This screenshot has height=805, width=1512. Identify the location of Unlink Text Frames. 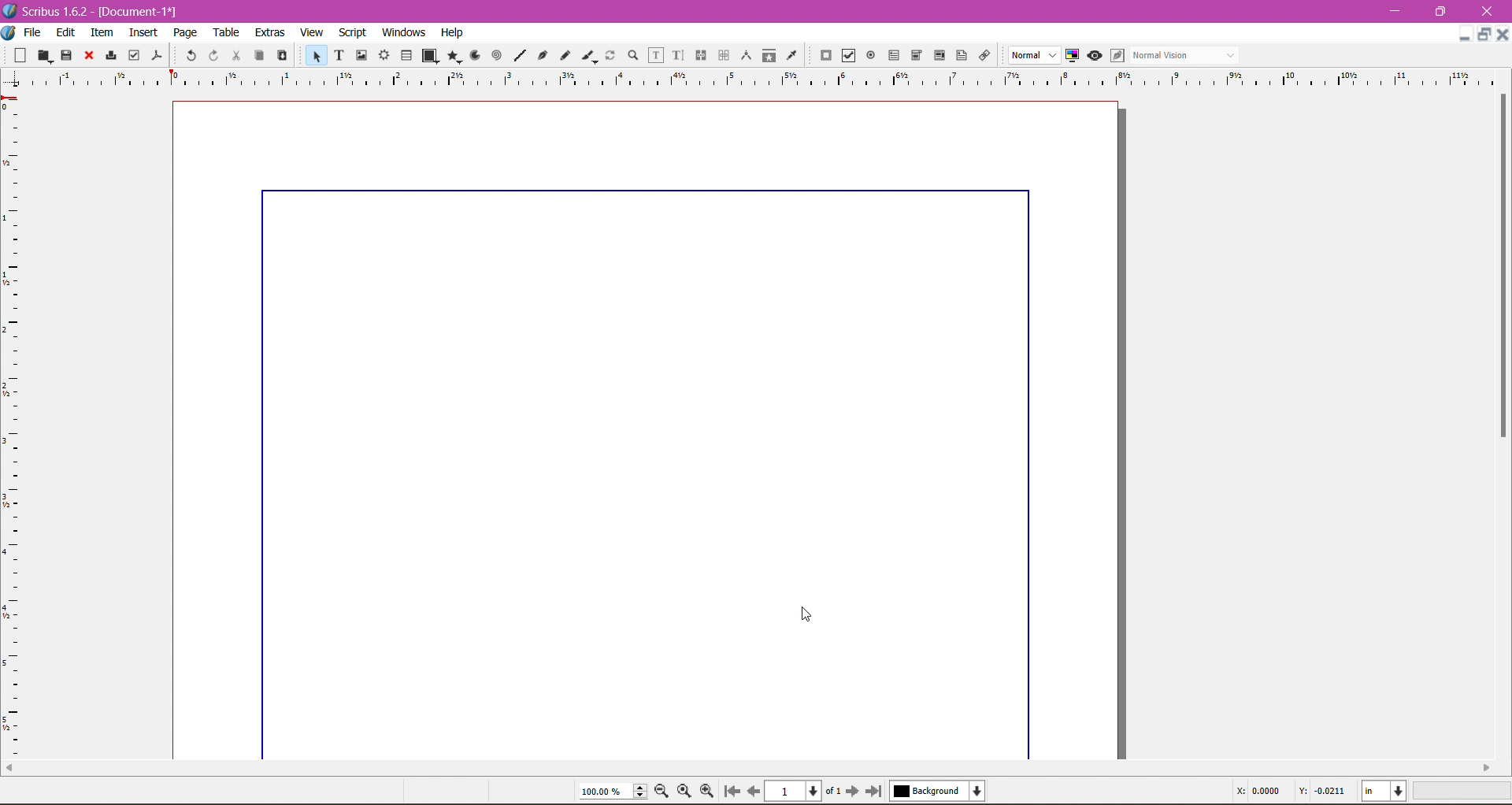
(723, 55).